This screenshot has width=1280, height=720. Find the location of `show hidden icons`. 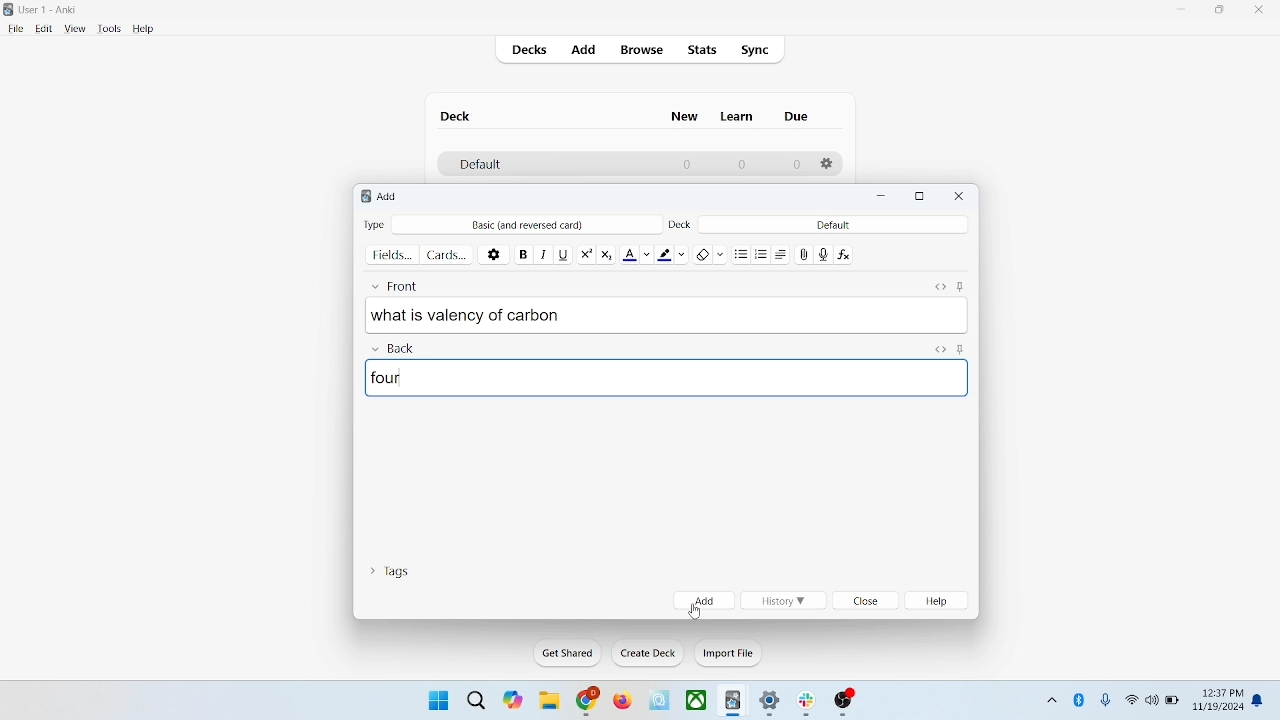

show hidden icons is located at coordinates (1050, 697).